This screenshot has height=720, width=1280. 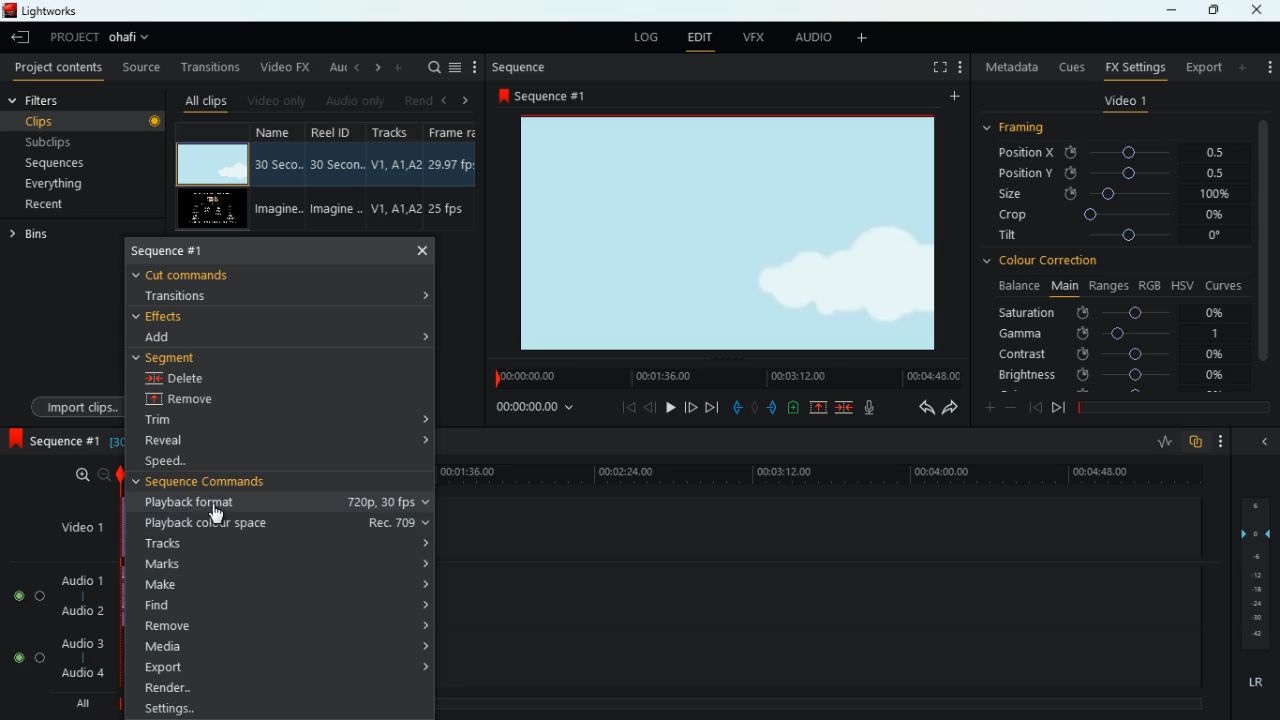 I want to click on forward, so click(x=950, y=407).